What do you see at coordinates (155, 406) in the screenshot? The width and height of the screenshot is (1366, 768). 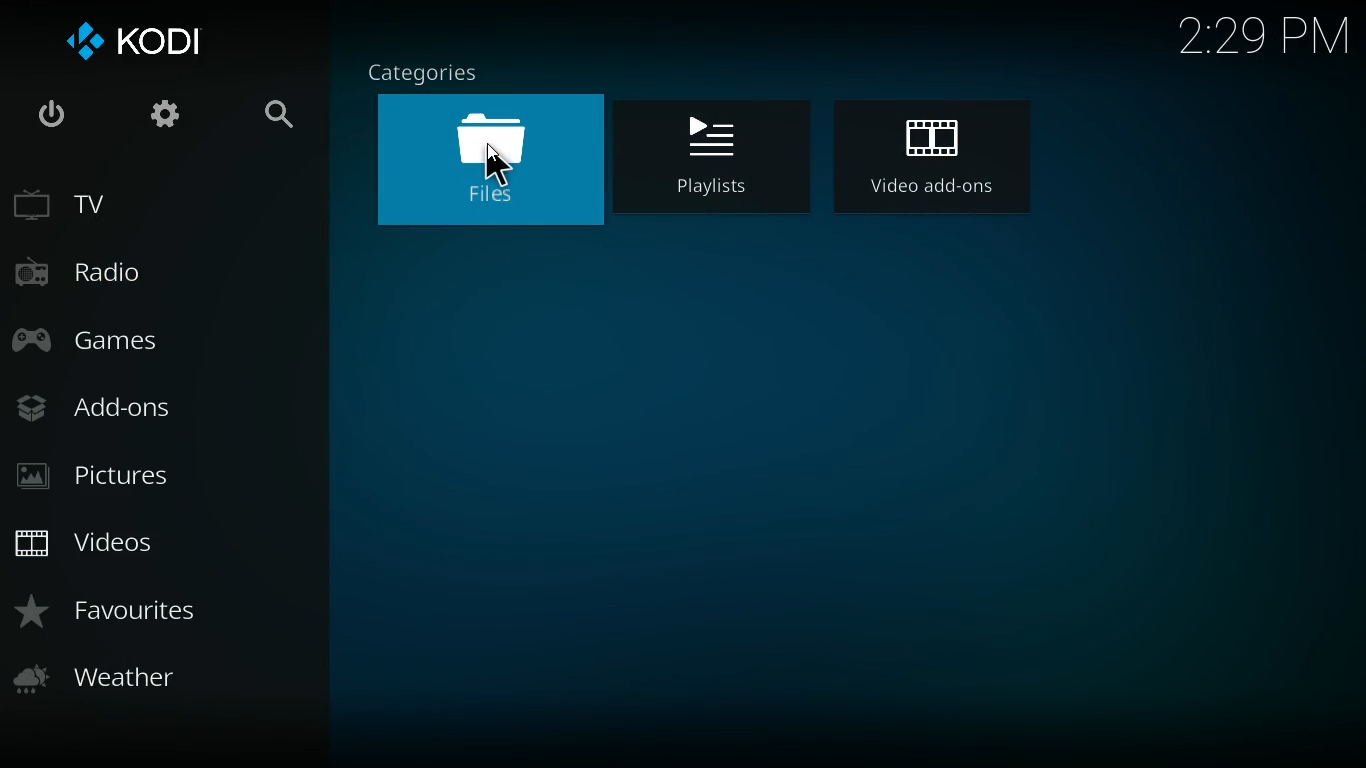 I see `add-ons` at bounding box center [155, 406].